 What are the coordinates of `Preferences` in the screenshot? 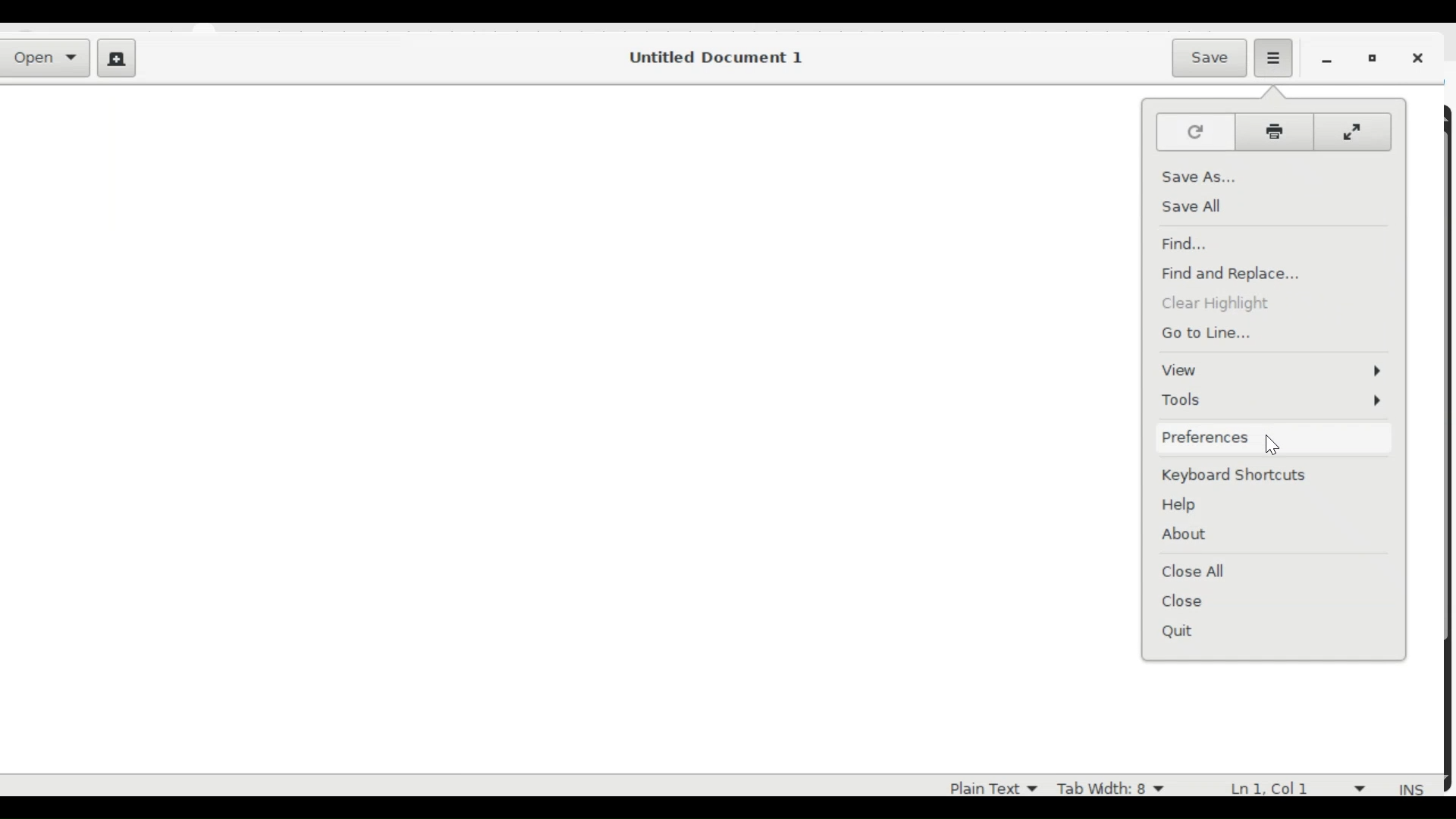 It's located at (1207, 438).